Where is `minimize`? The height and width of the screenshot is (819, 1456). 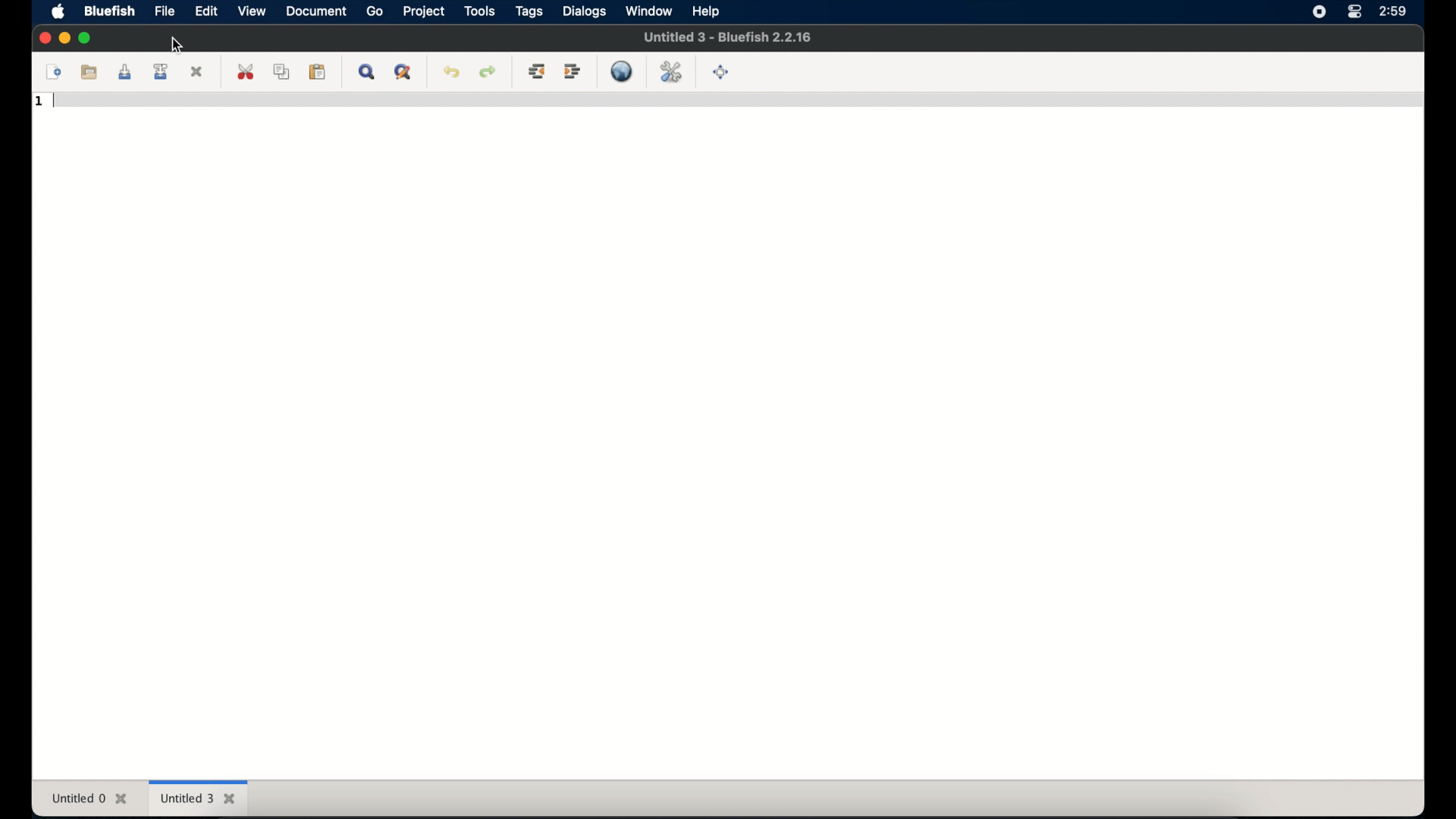
minimize is located at coordinates (64, 39).